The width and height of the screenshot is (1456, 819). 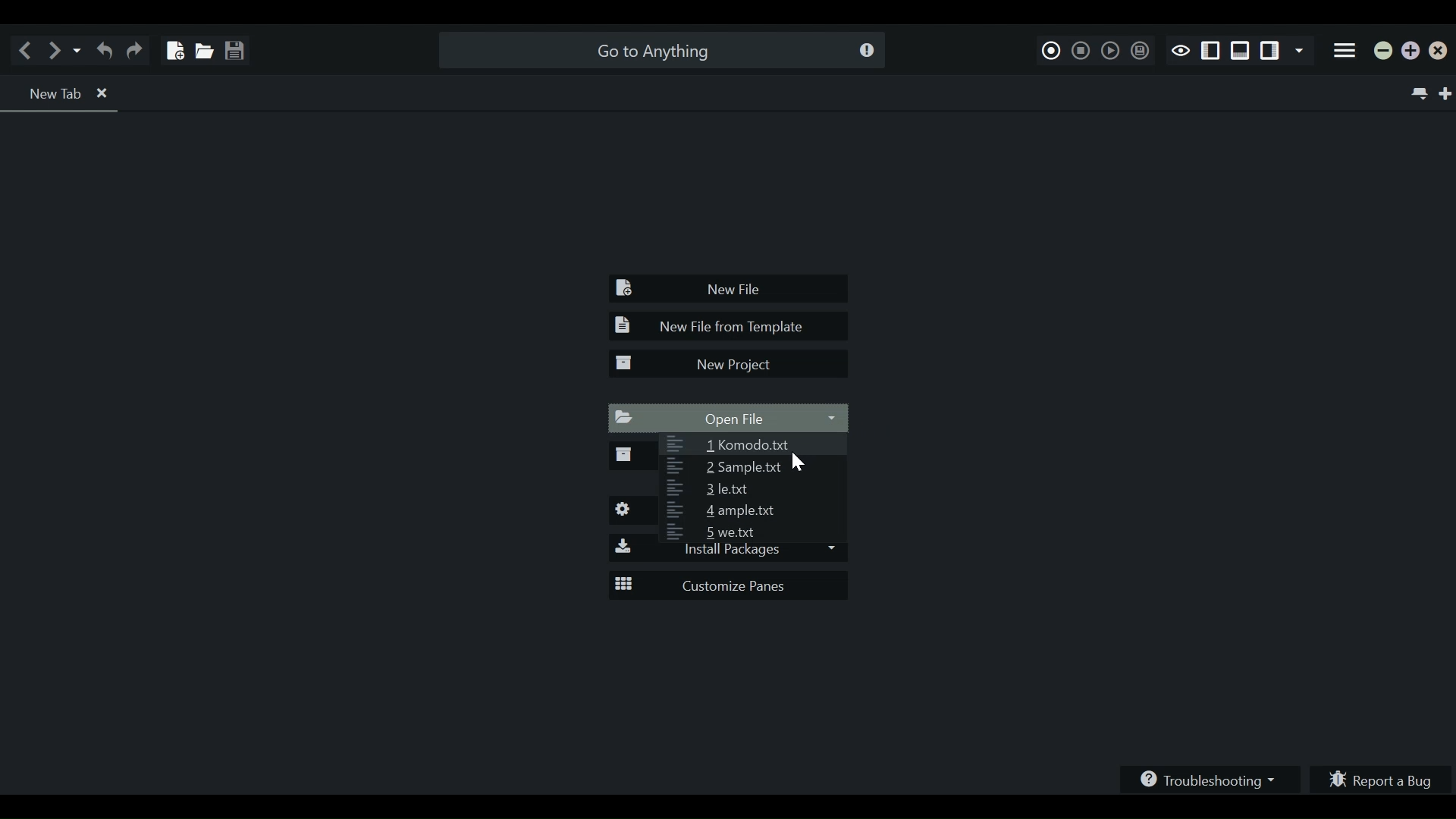 What do you see at coordinates (753, 488) in the screenshot?
I see `Open Files Options` at bounding box center [753, 488].